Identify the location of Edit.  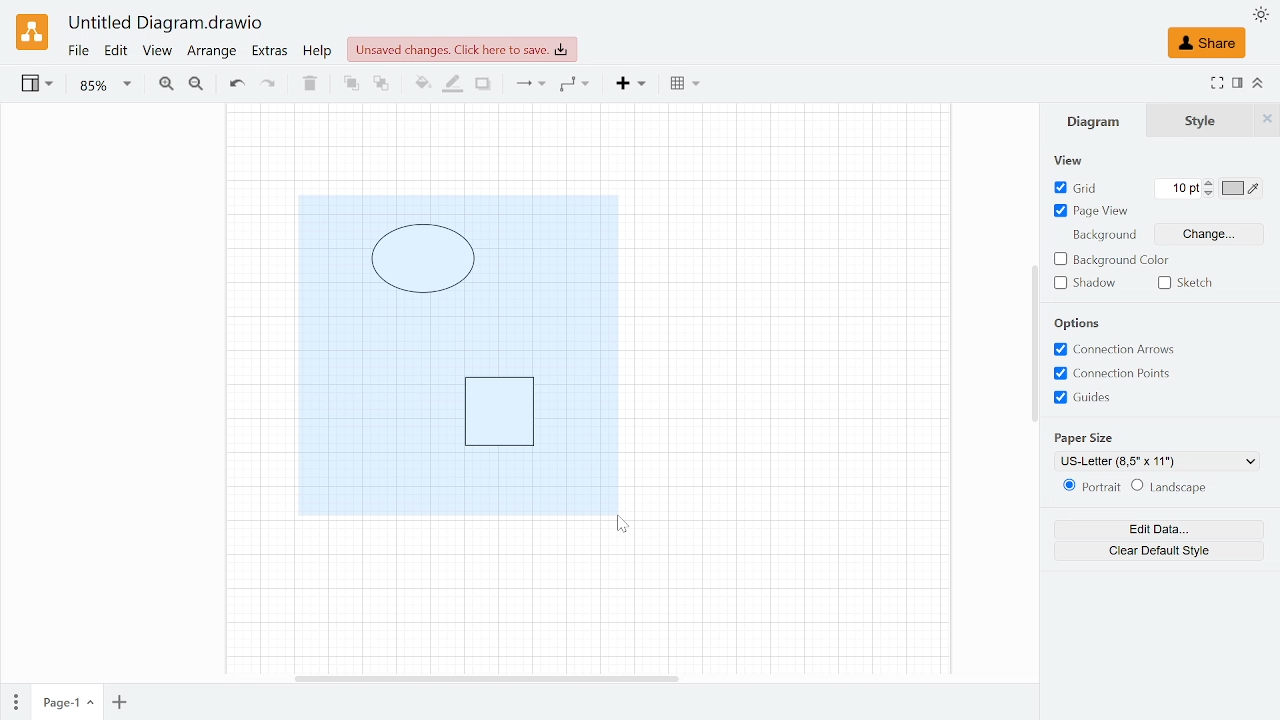
(117, 52).